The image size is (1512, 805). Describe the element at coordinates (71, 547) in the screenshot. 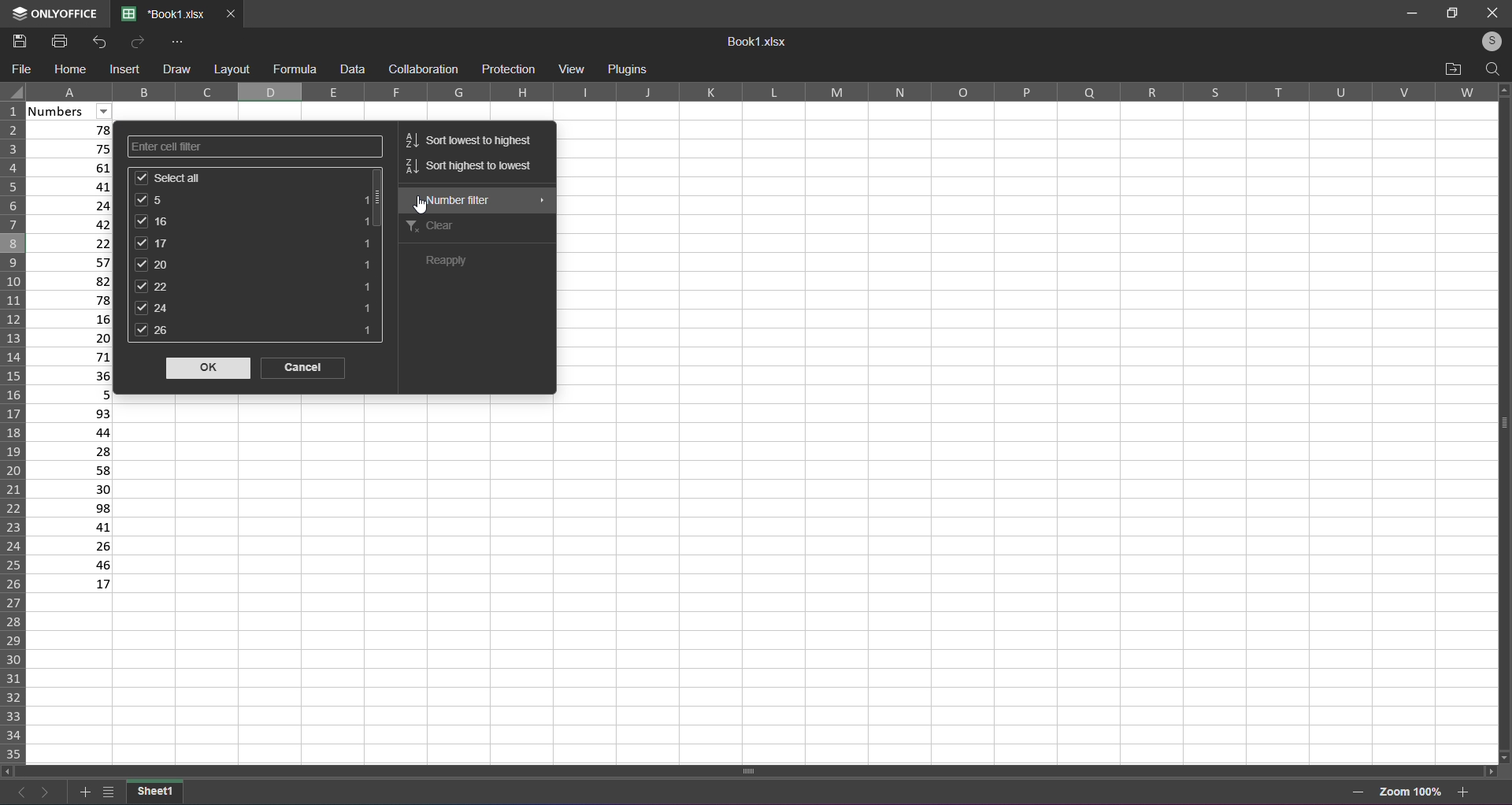

I see `26` at that location.